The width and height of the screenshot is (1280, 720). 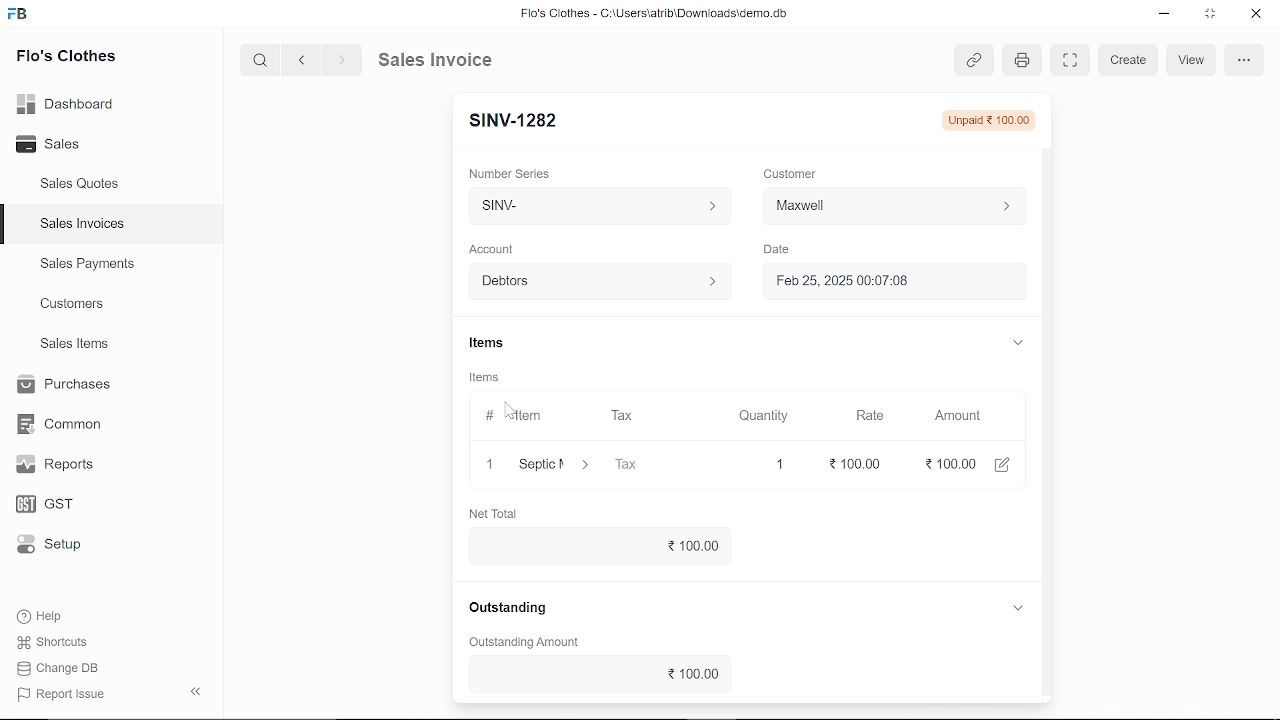 I want to click on Sales Quotes, so click(x=82, y=186).